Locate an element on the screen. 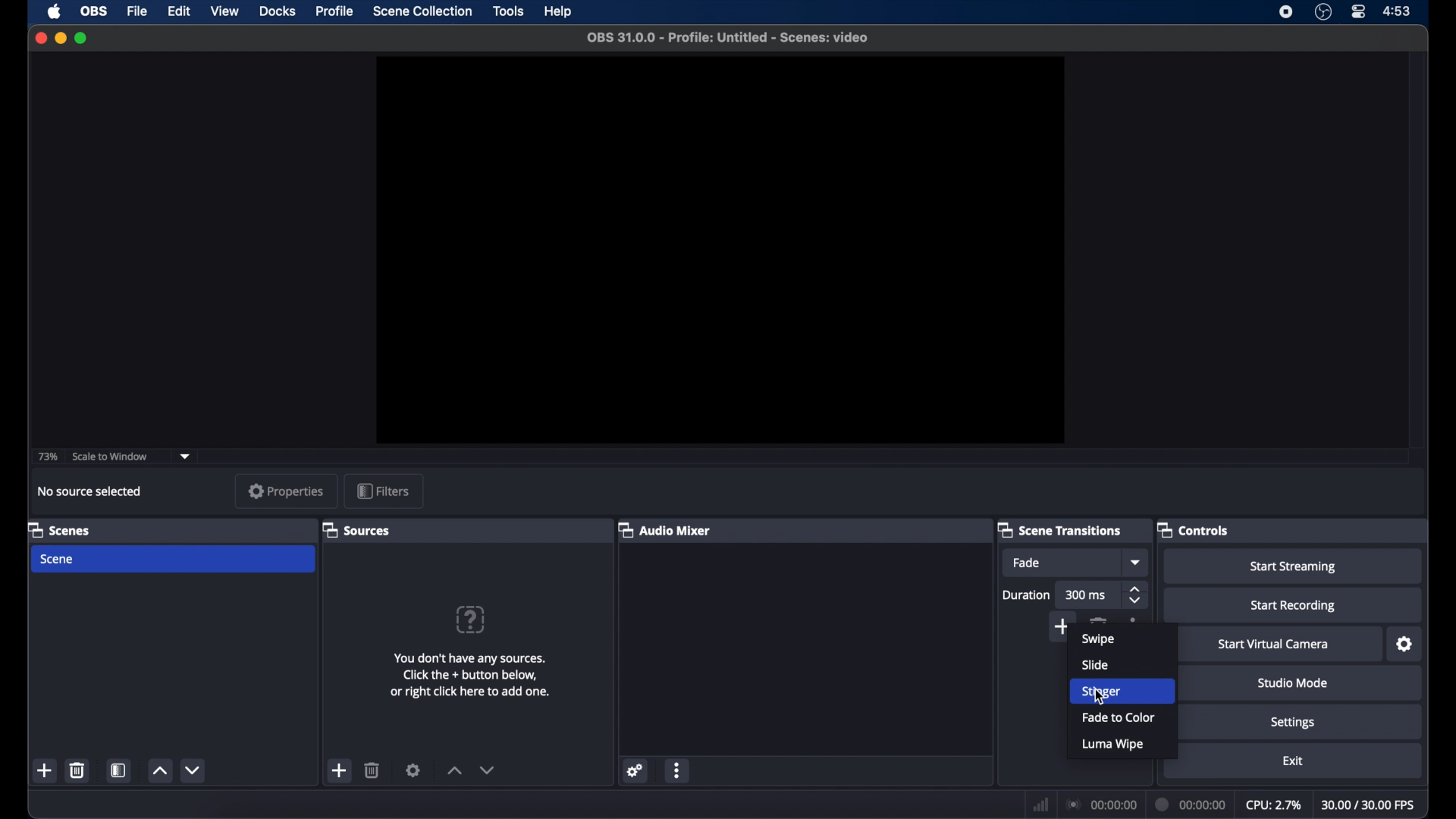 Image resolution: width=1456 pixels, height=819 pixels. fade is located at coordinates (1027, 563).